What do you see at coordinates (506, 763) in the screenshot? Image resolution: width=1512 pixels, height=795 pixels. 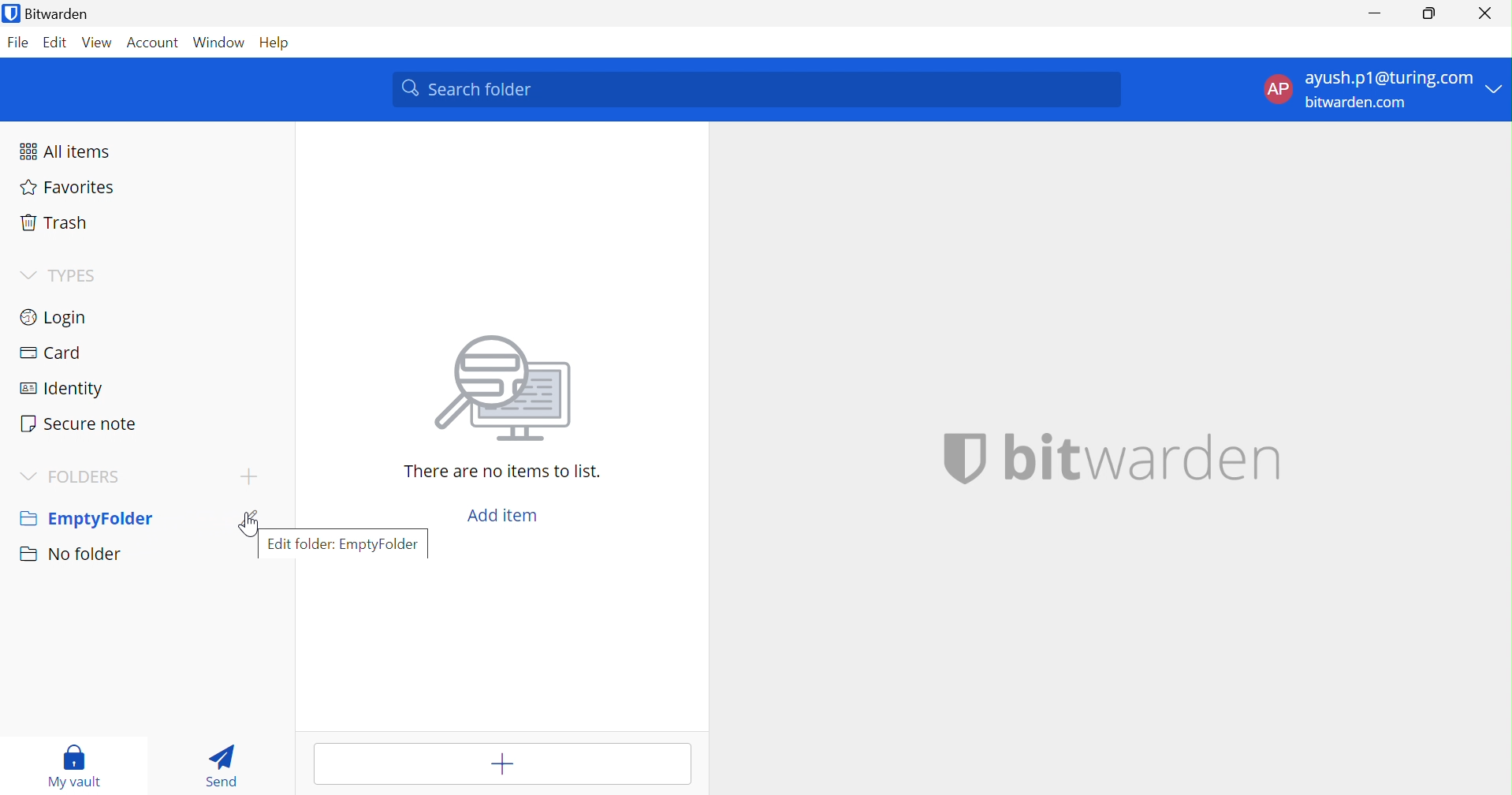 I see `Add item` at bounding box center [506, 763].